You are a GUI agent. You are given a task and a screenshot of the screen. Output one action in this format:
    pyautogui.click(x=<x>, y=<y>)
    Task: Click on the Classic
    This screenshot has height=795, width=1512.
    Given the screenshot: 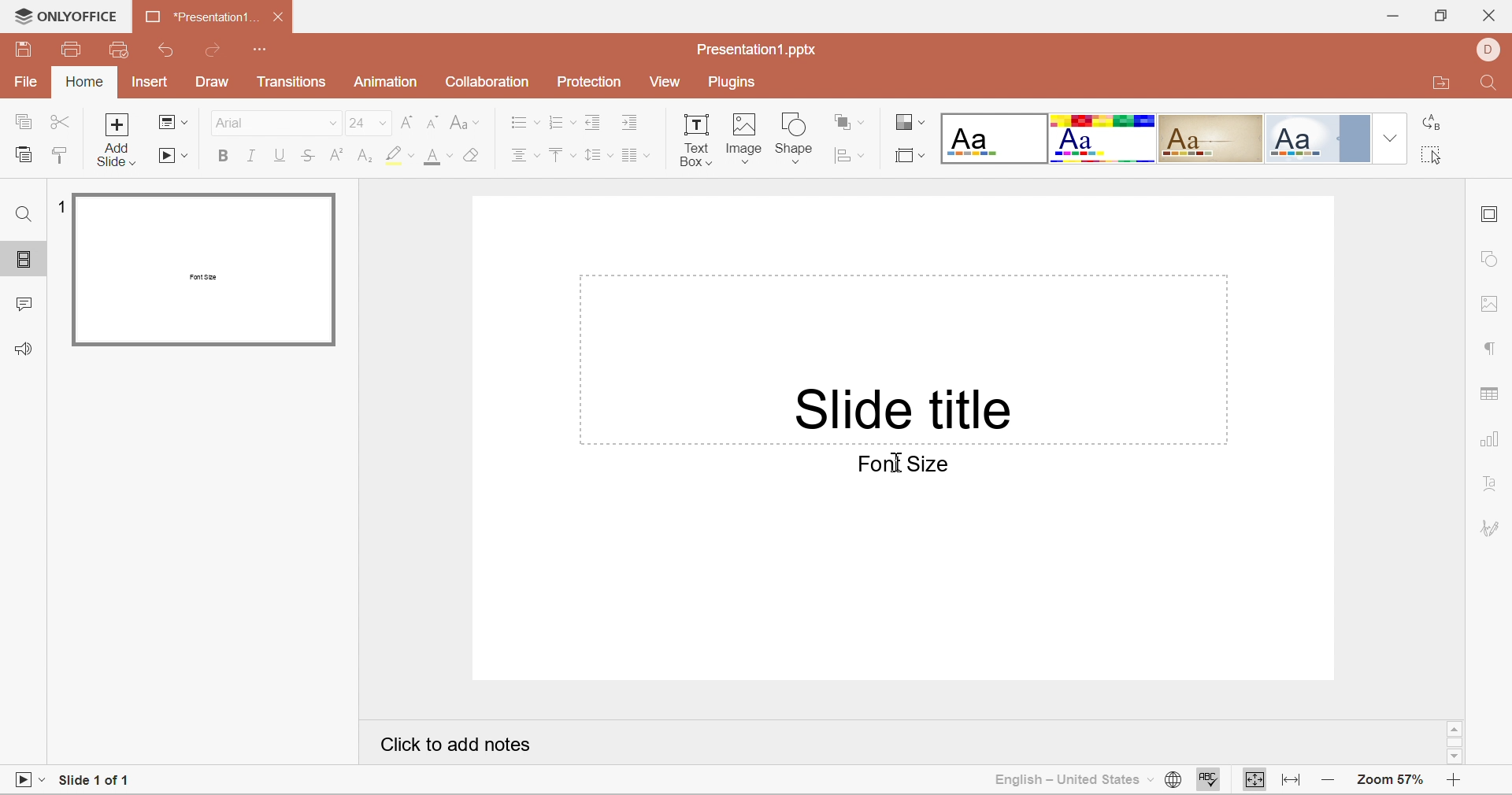 What is the action you would take?
    pyautogui.click(x=1211, y=136)
    